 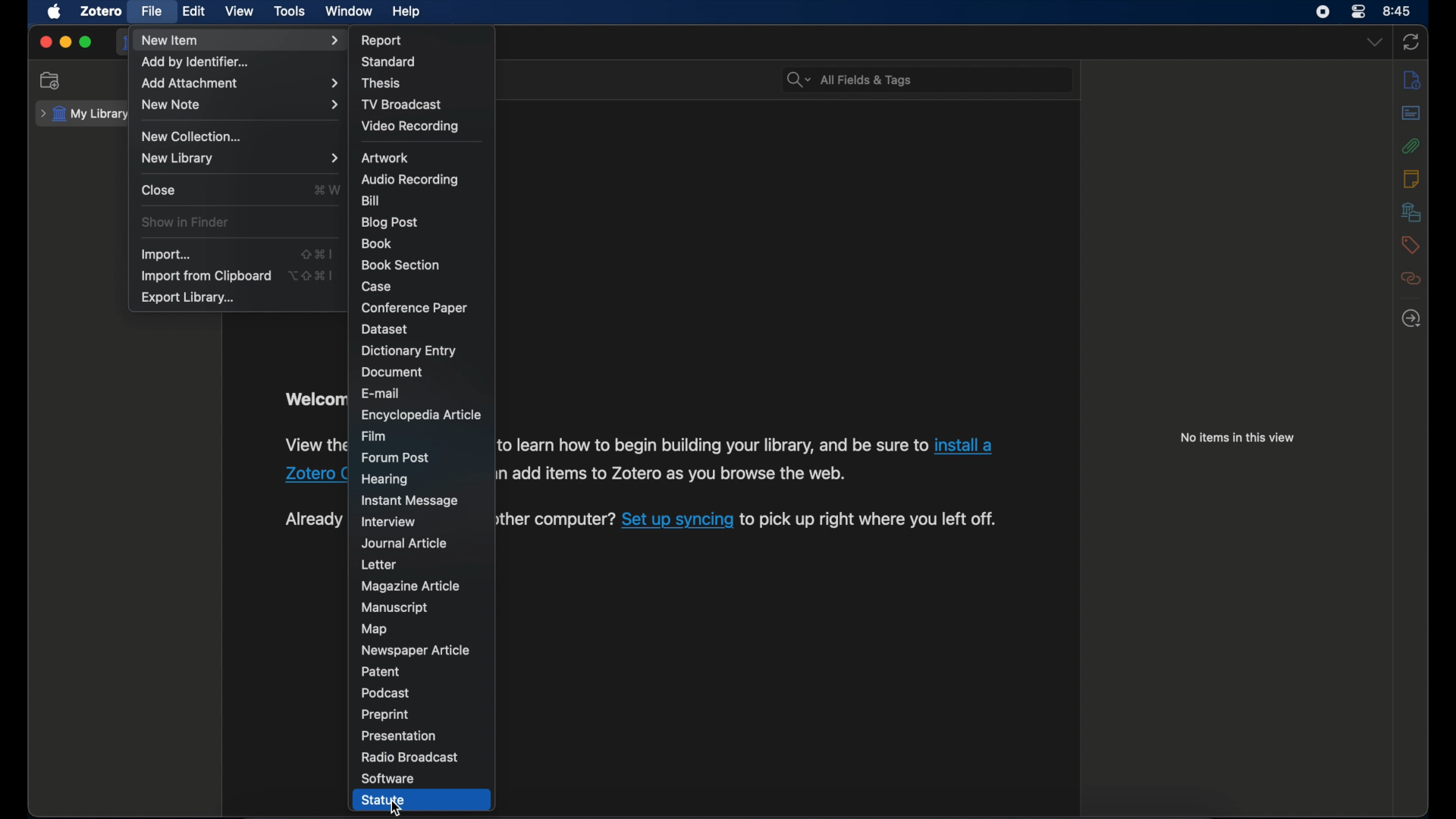 What do you see at coordinates (402, 104) in the screenshot?
I see `tv broadcast` at bounding box center [402, 104].